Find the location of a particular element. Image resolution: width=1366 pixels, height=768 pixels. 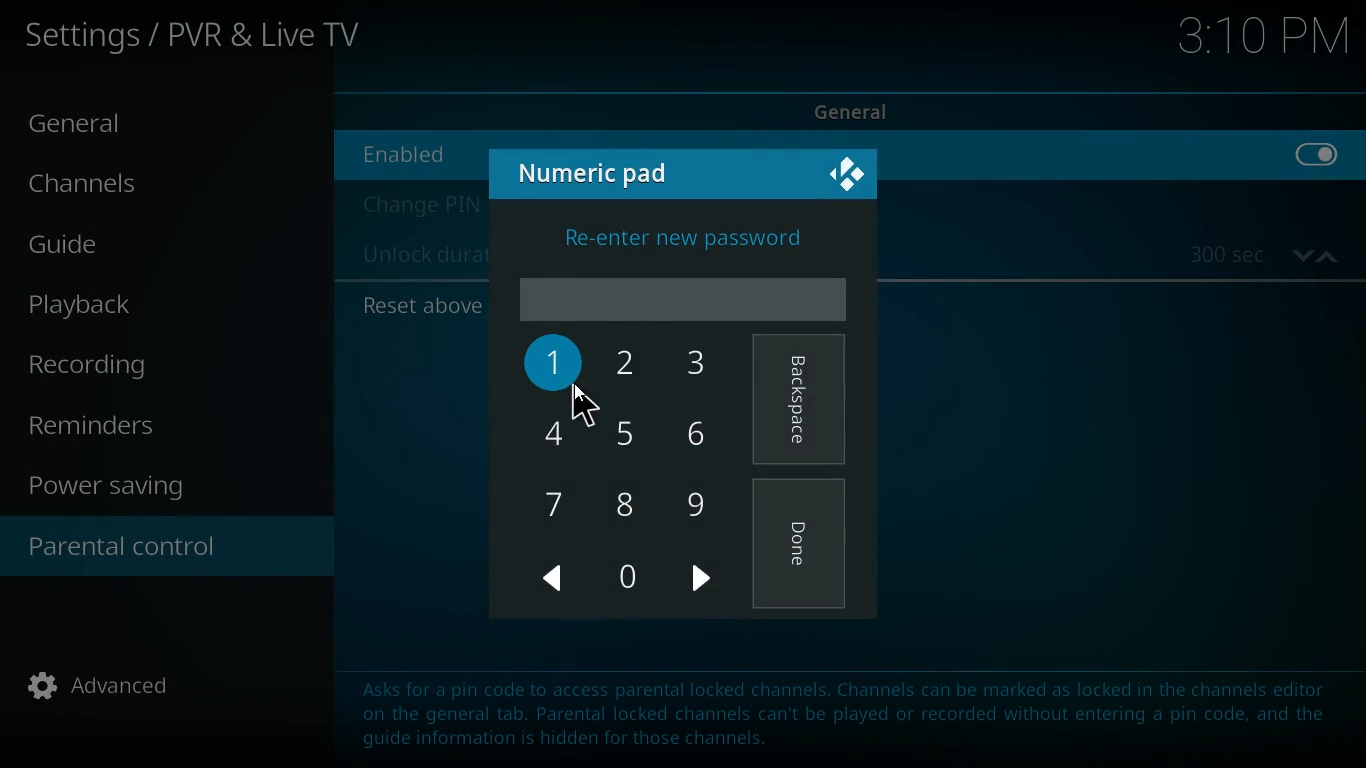

recording is located at coordinates (117, 366).